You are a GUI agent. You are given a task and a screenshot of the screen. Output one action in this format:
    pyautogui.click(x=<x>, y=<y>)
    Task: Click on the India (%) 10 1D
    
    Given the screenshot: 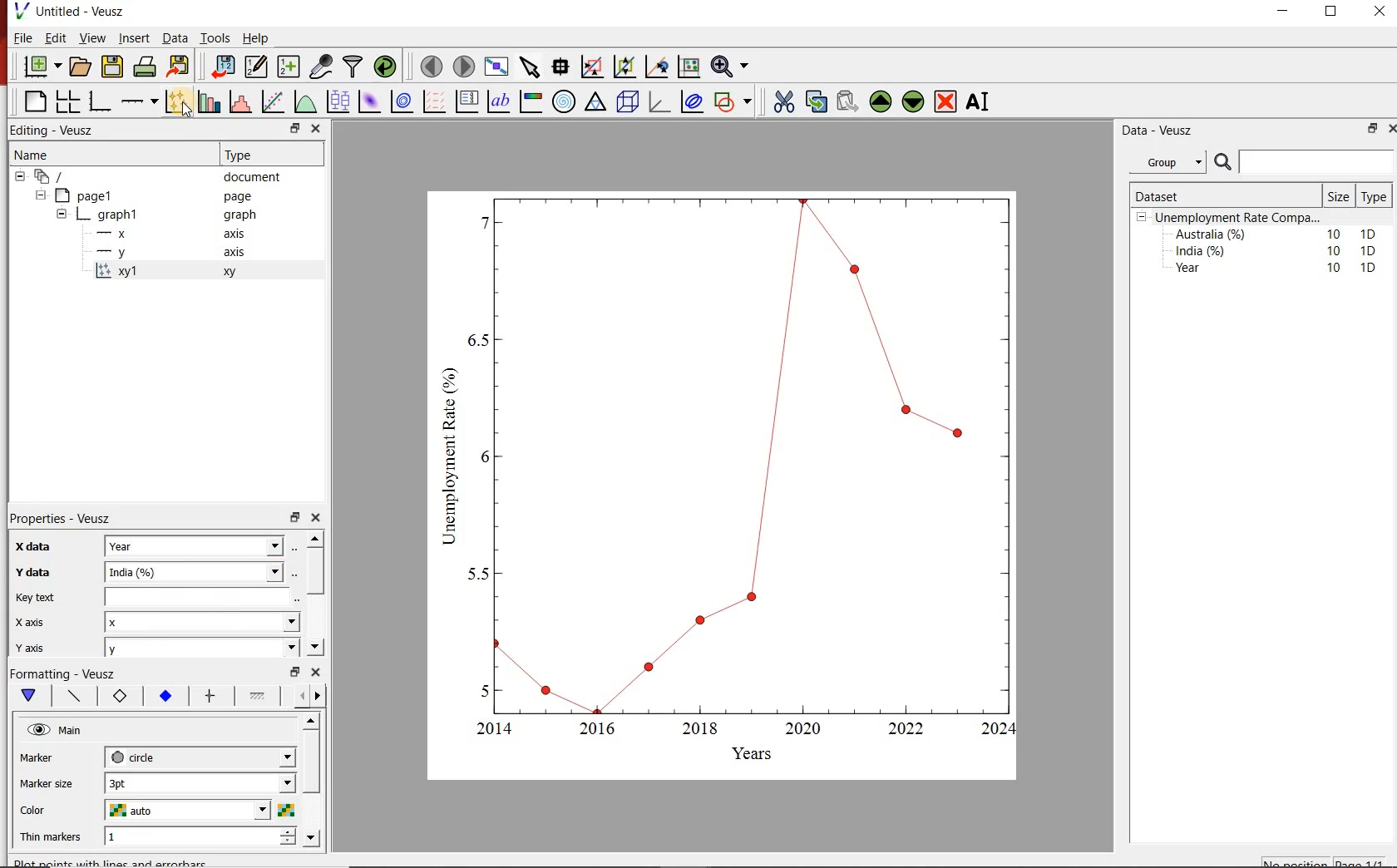 What is the action you would take?
    pyautogui.click(x=1277, y=250)
    